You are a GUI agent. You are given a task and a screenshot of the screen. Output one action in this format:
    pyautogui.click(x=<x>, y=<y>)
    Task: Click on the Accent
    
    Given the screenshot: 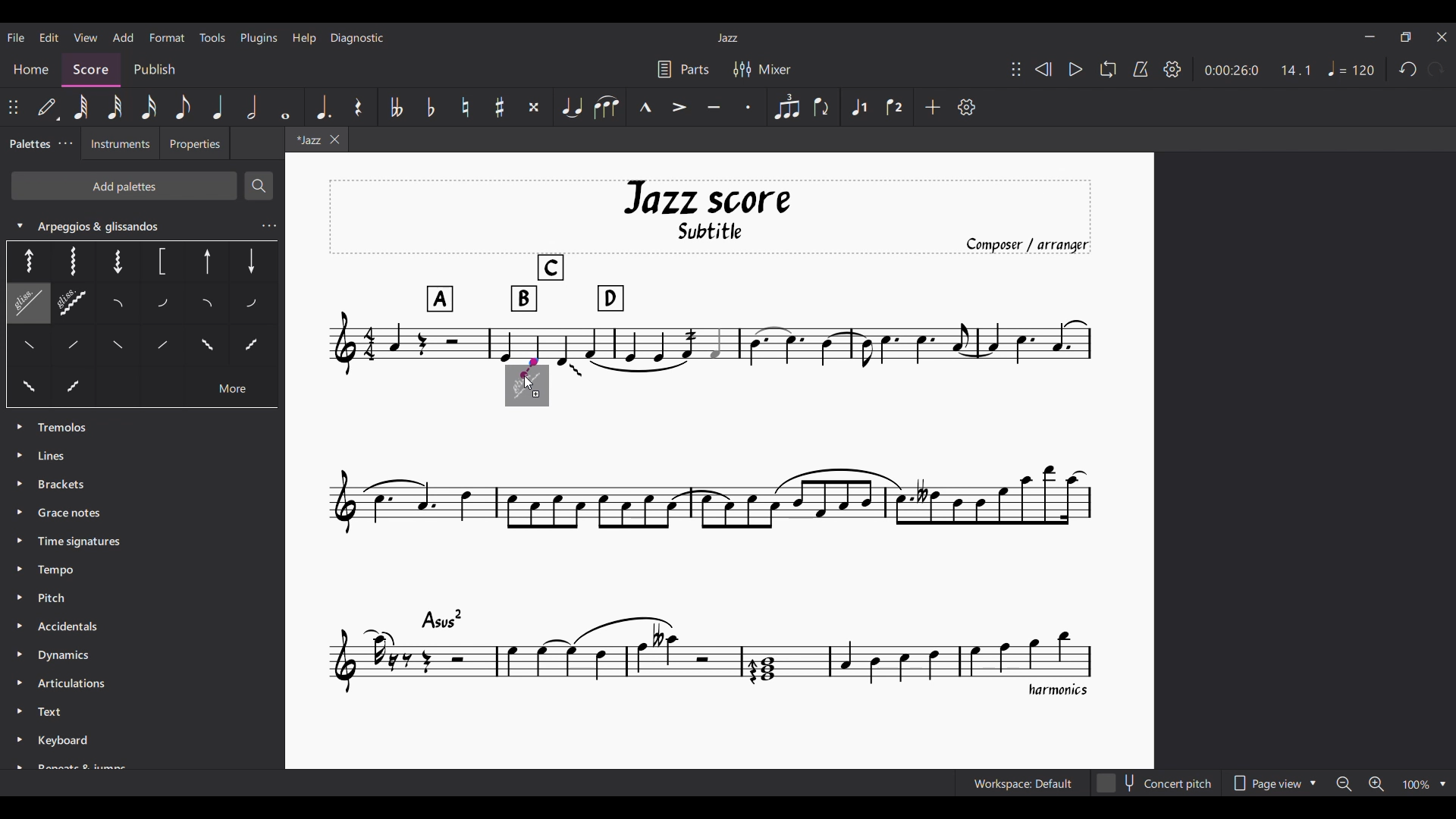 What is the action you would take?
    pyautogui.click(x=680, y=107)
    